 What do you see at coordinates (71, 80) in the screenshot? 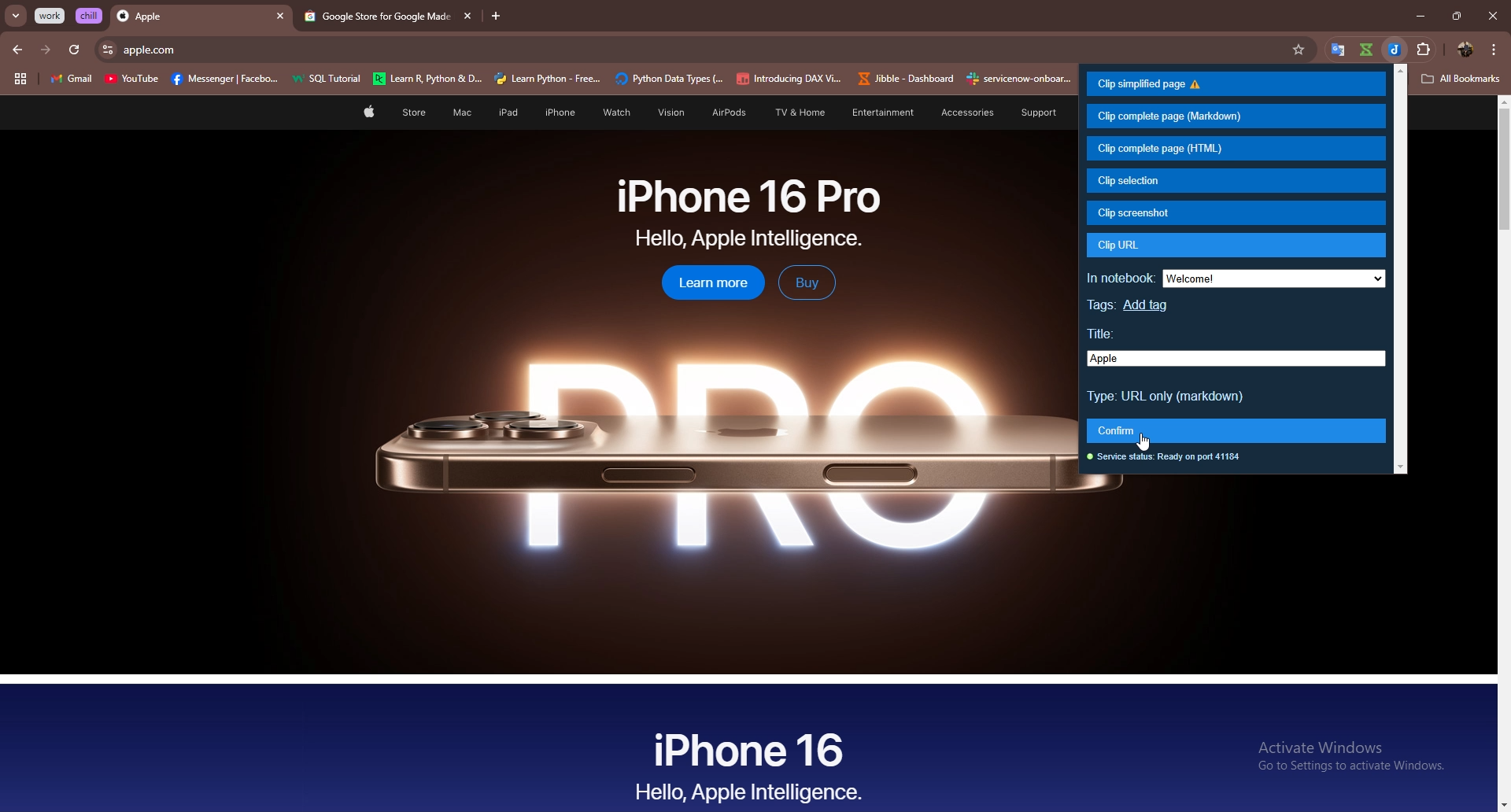
I see `gmail` at bounding box center [71, 80].